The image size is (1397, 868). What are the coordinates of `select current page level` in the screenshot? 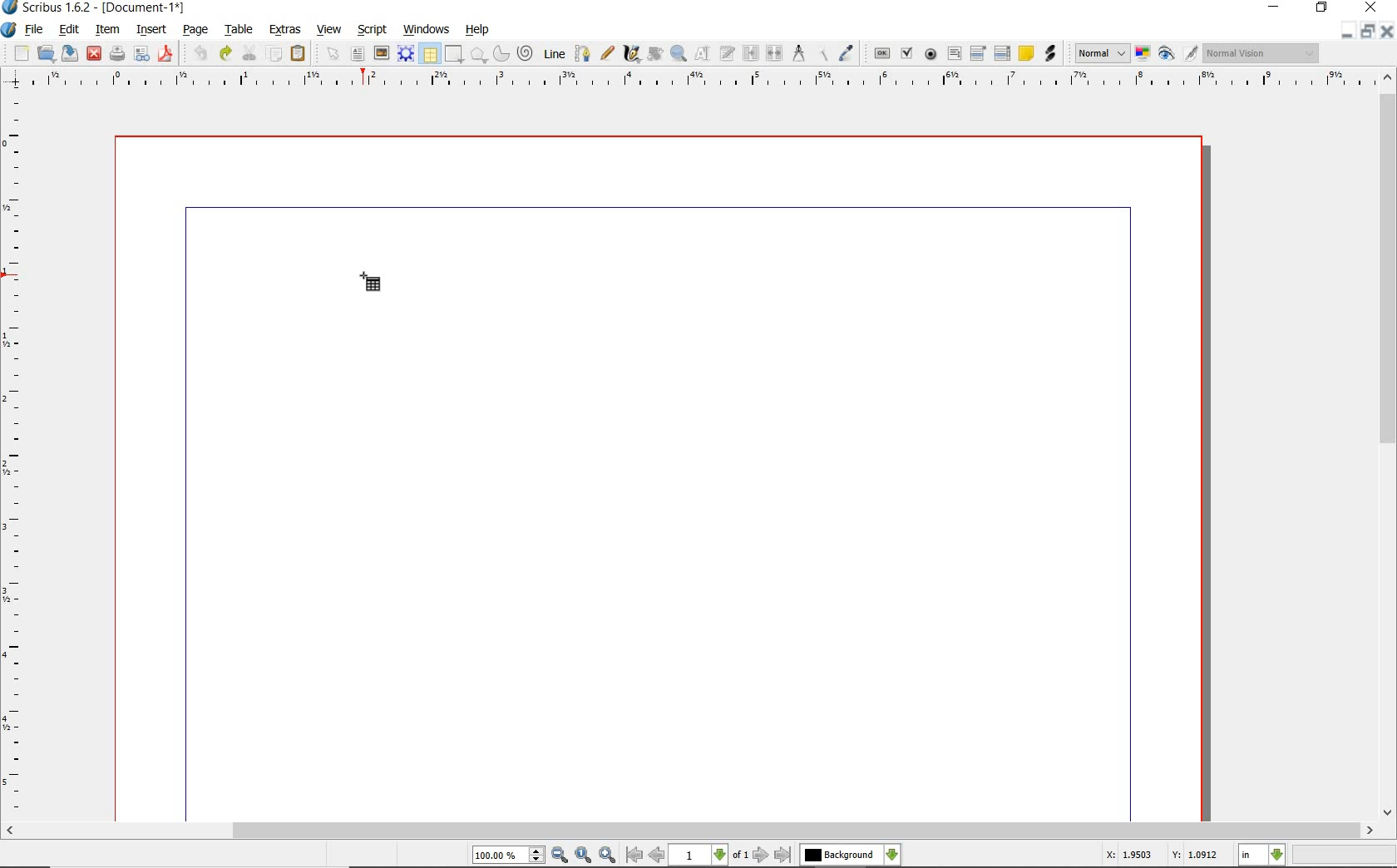 It's located at (709, 855).